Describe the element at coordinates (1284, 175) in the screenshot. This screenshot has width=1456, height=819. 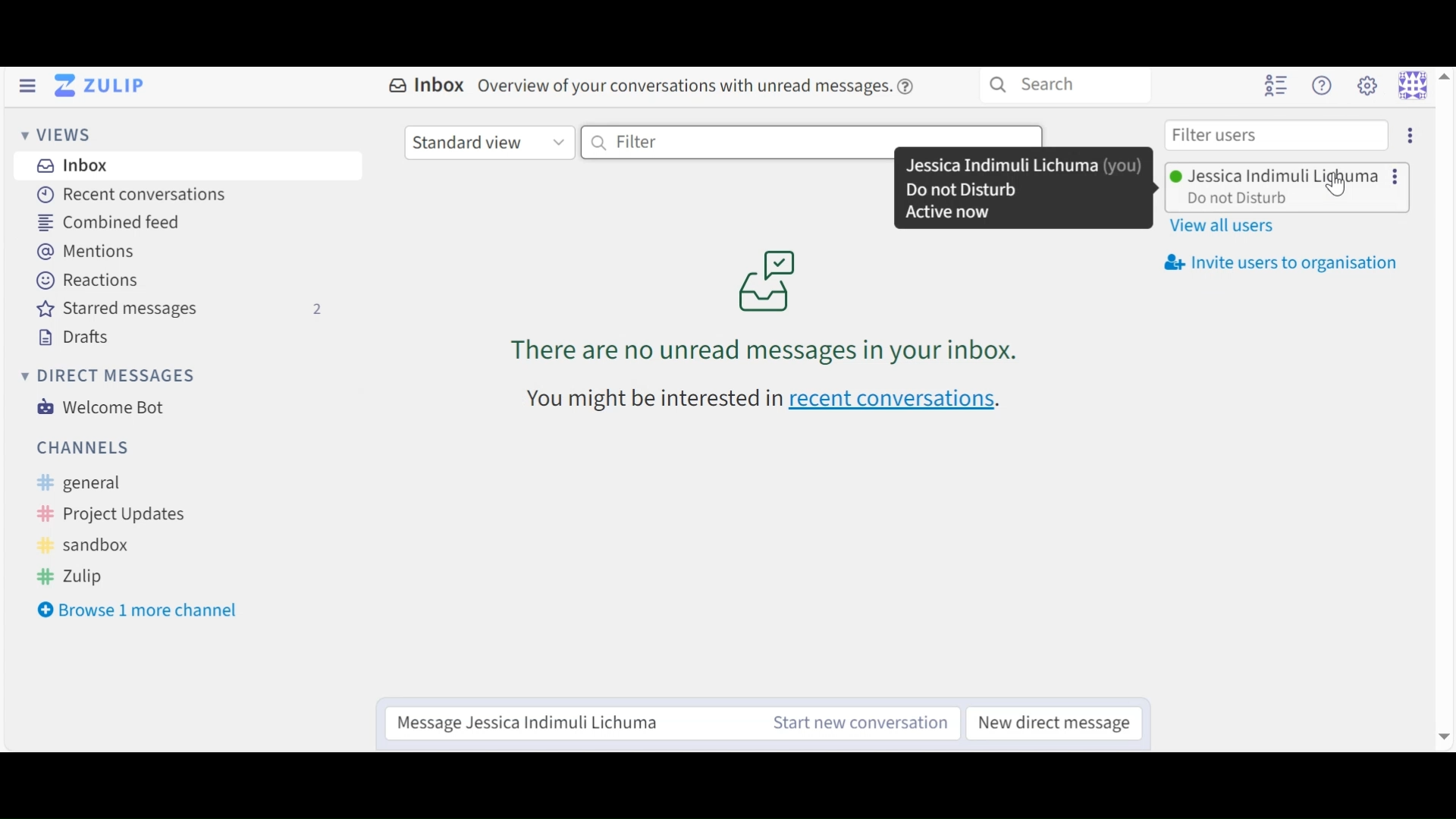
I see `Username` at that location.